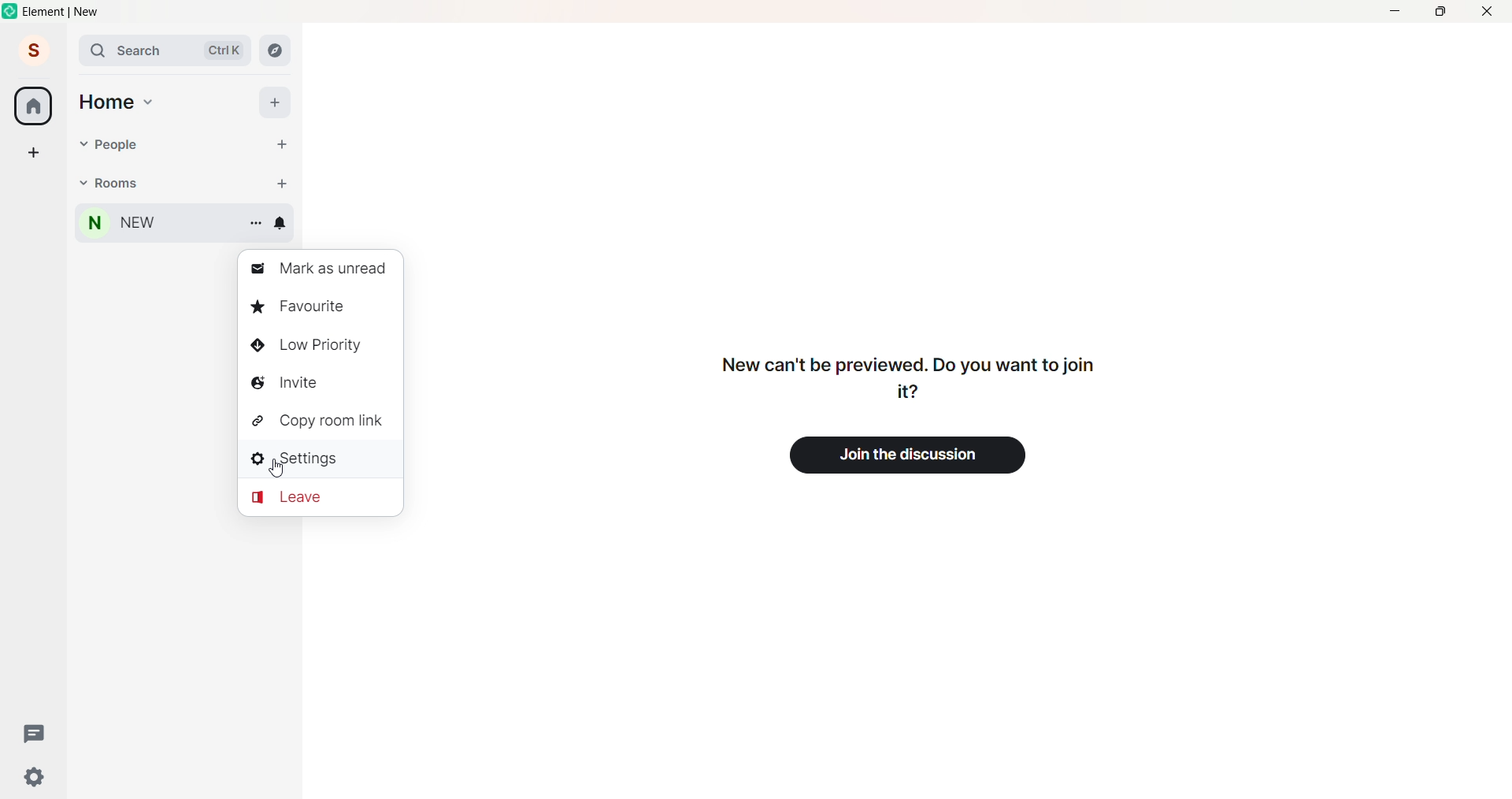 Image resolution: width=1512 pixels, height=799 pixels. What do you see at coordinates (31, 779) in the screenshot?
I see `setting` at bounding box center [31, 779].